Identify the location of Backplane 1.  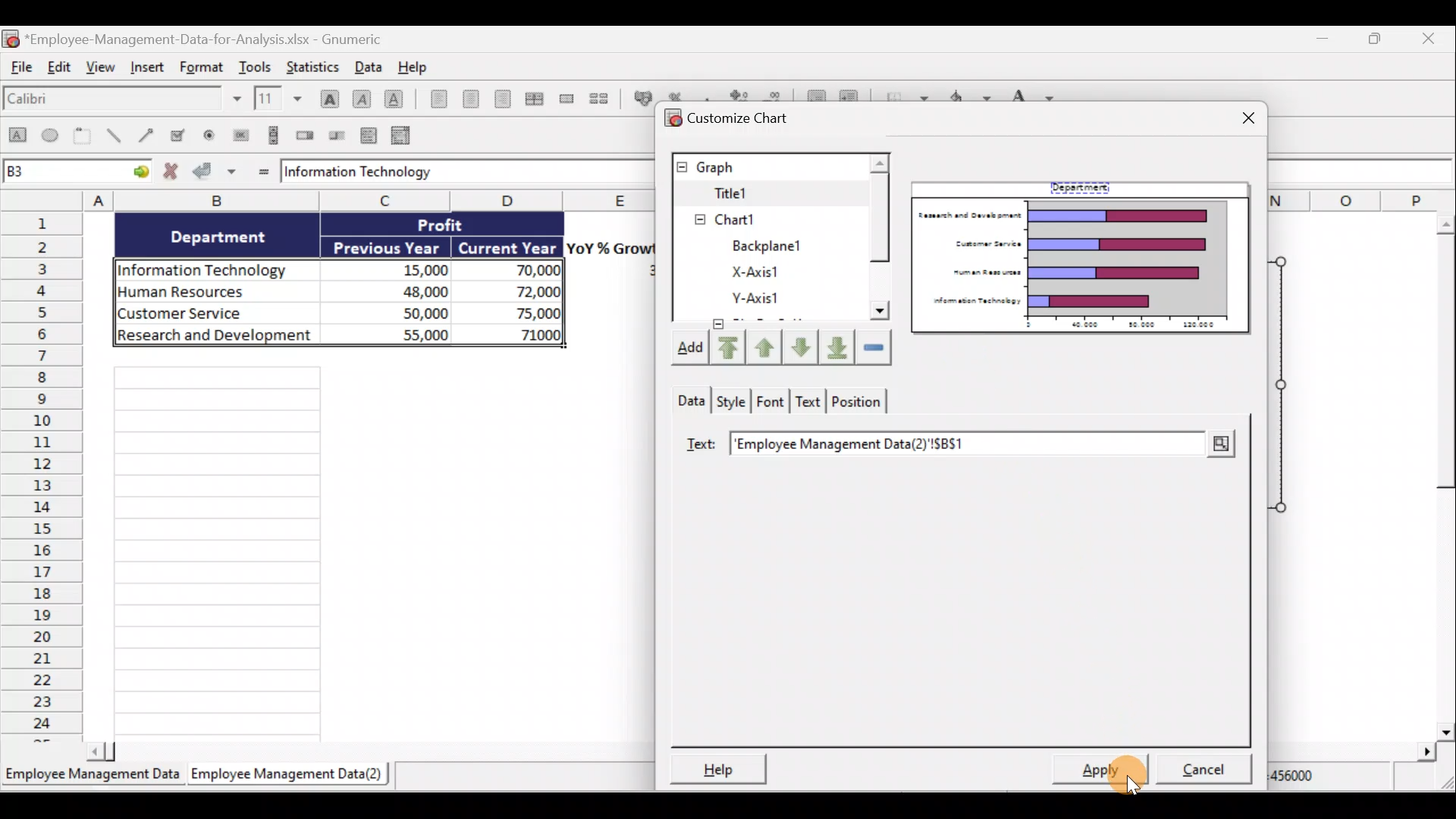
(761, 217).